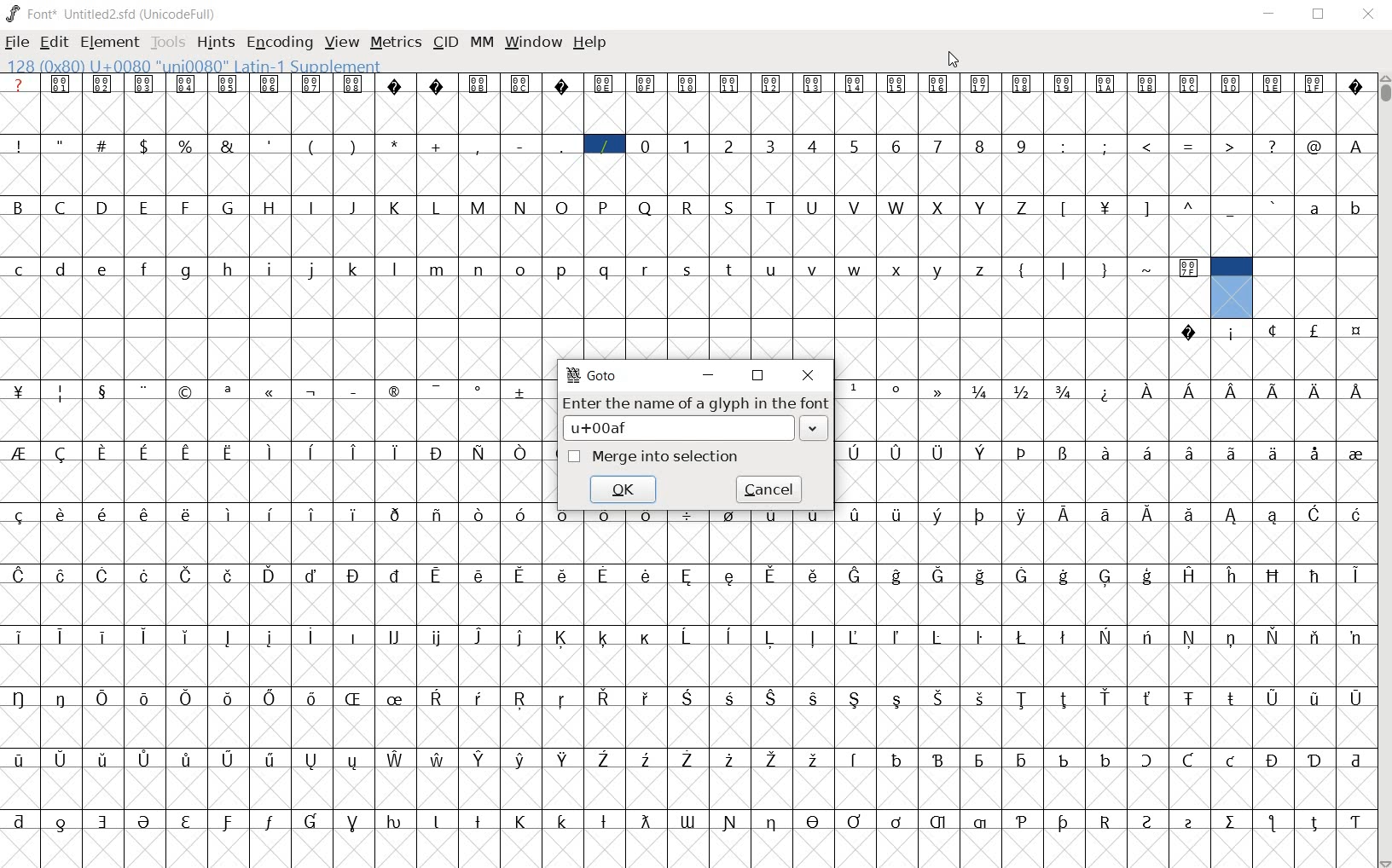  I want to click on Symbol, so click(63, 513).